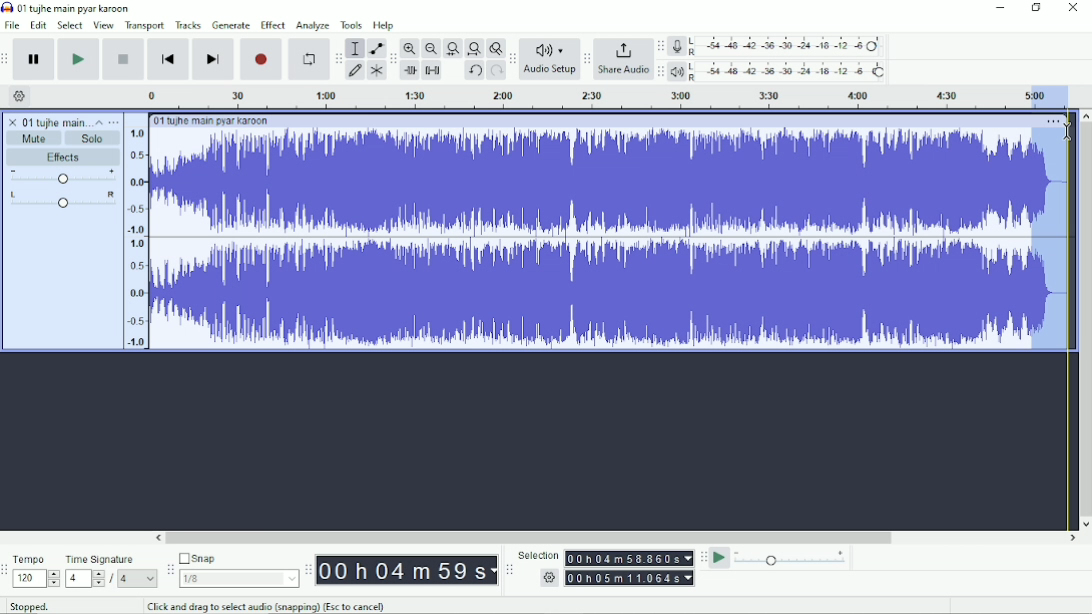 Image resolution: width=1092 pixels, height=614 pixels. Describe the element at coordinates (60, 200) in the screenshot. I see `Pan` at that location.